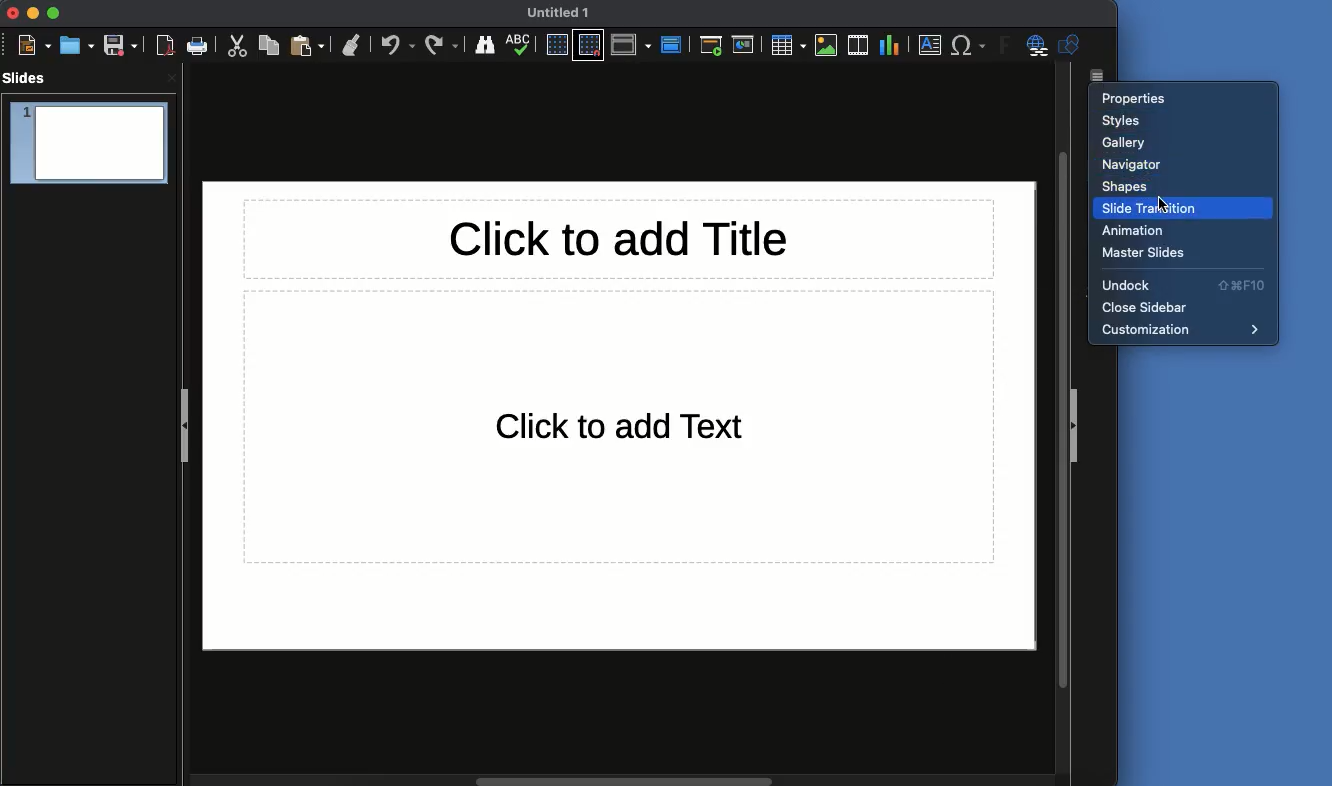  What do you see at coordinates (1126, 145) in the screenshot?
I see `Gallery` at bounding box center [1126, 145].